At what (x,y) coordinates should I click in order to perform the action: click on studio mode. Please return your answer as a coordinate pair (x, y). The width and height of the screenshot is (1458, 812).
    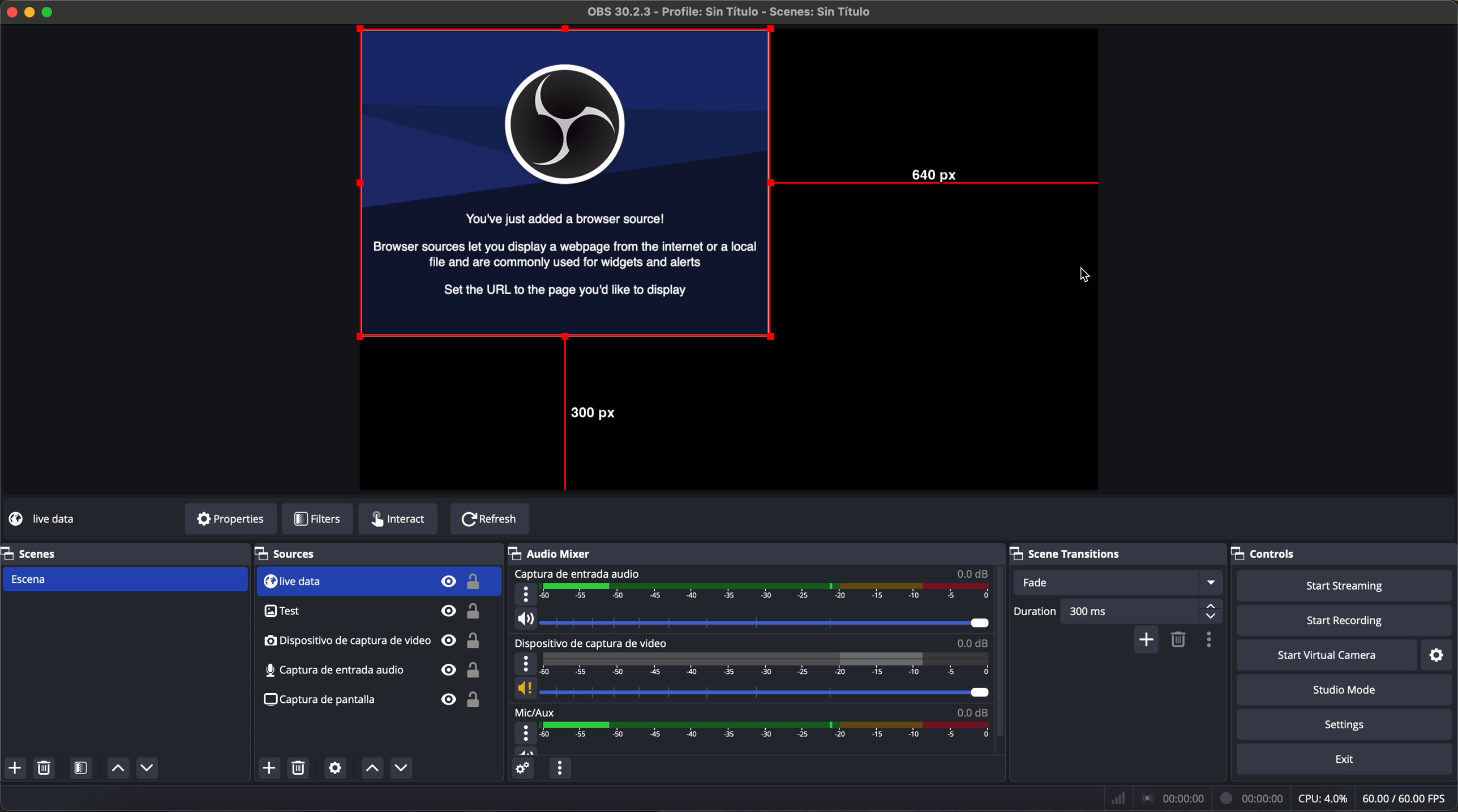
    Looking at the image, I should click on (1347, 691).